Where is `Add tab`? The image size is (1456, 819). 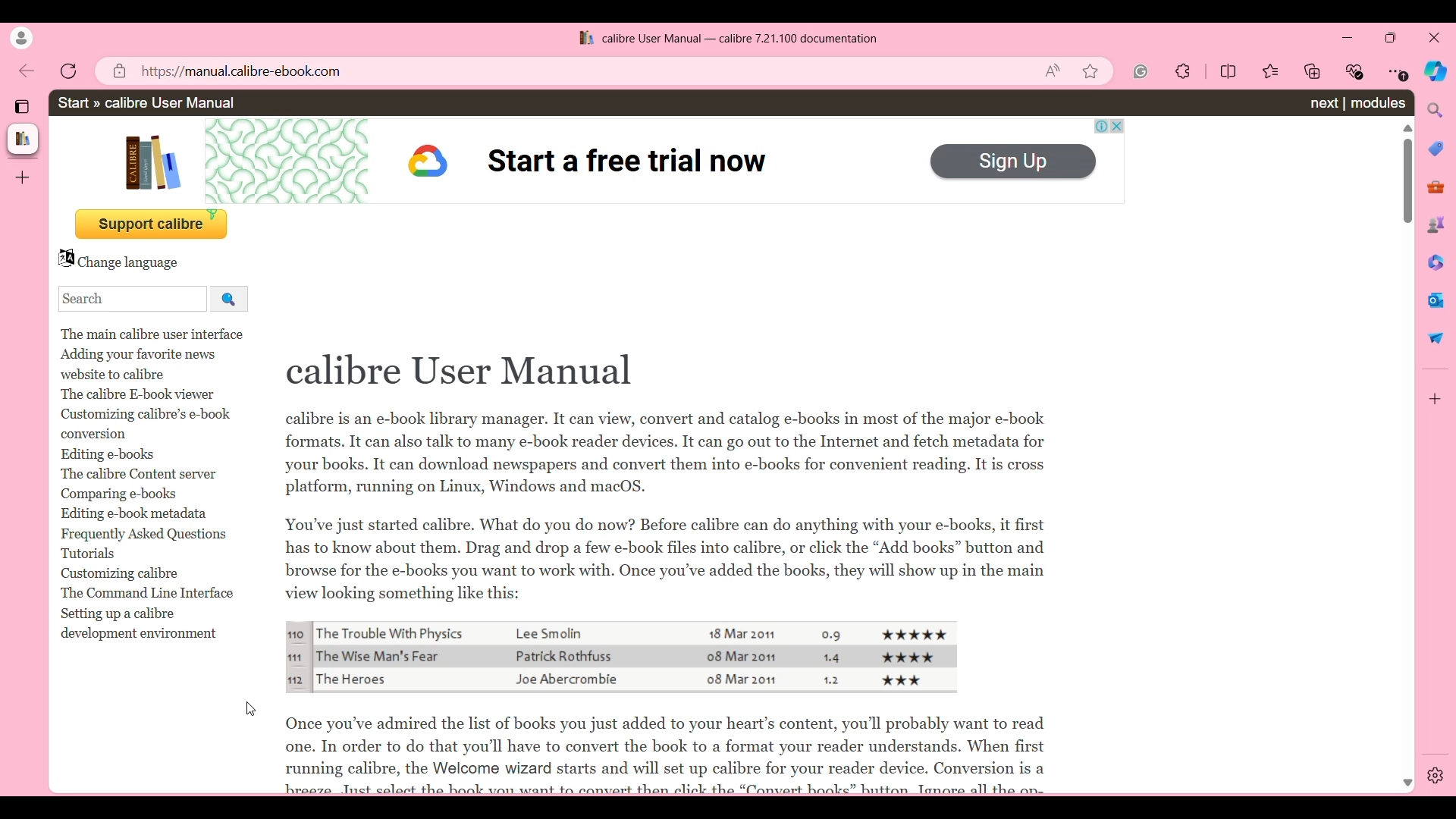 Add tab is located at coordinates (24, 177).